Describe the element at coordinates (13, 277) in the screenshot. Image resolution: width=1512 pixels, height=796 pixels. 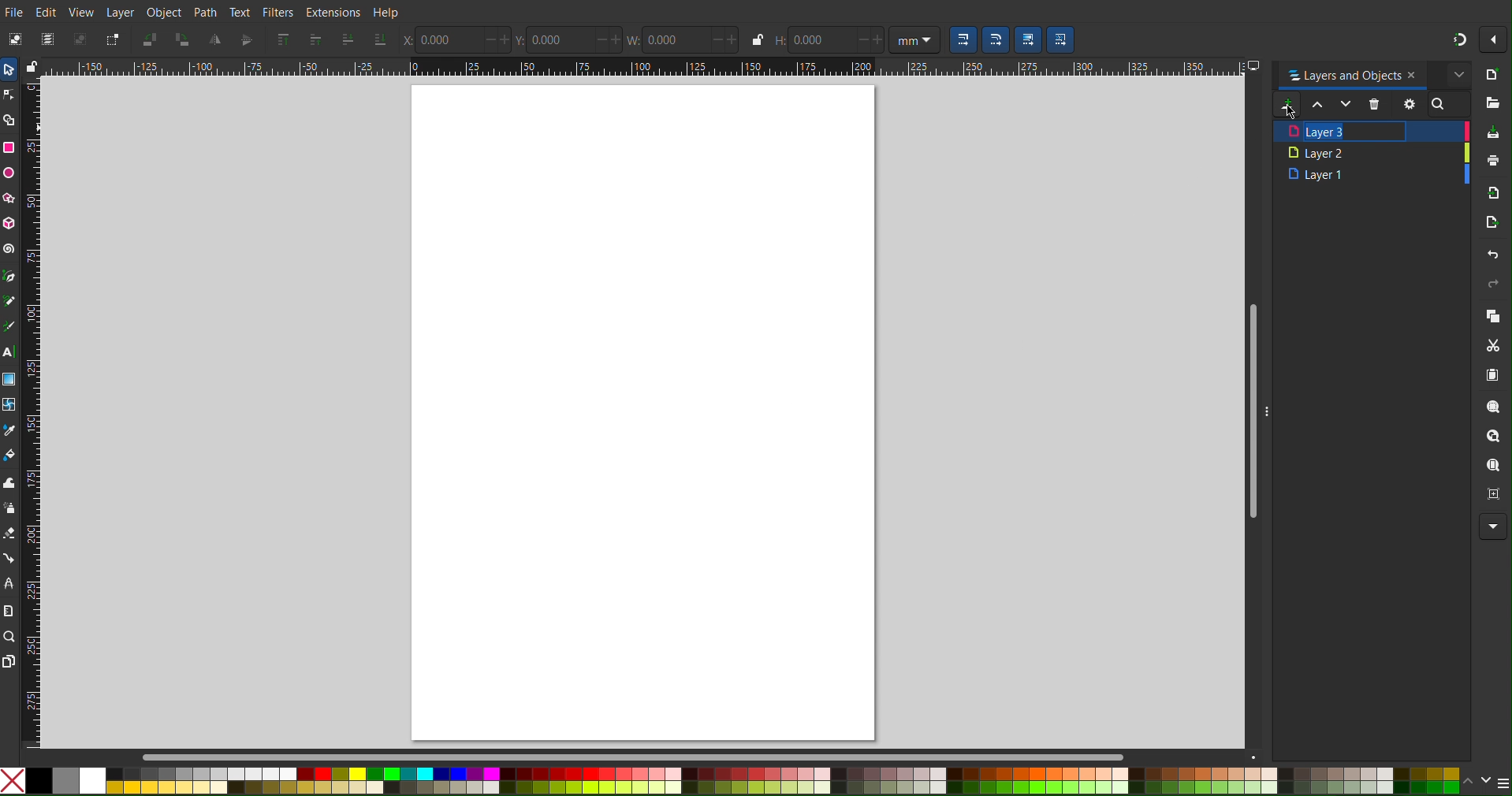
I see `Pen Tool` at that location.